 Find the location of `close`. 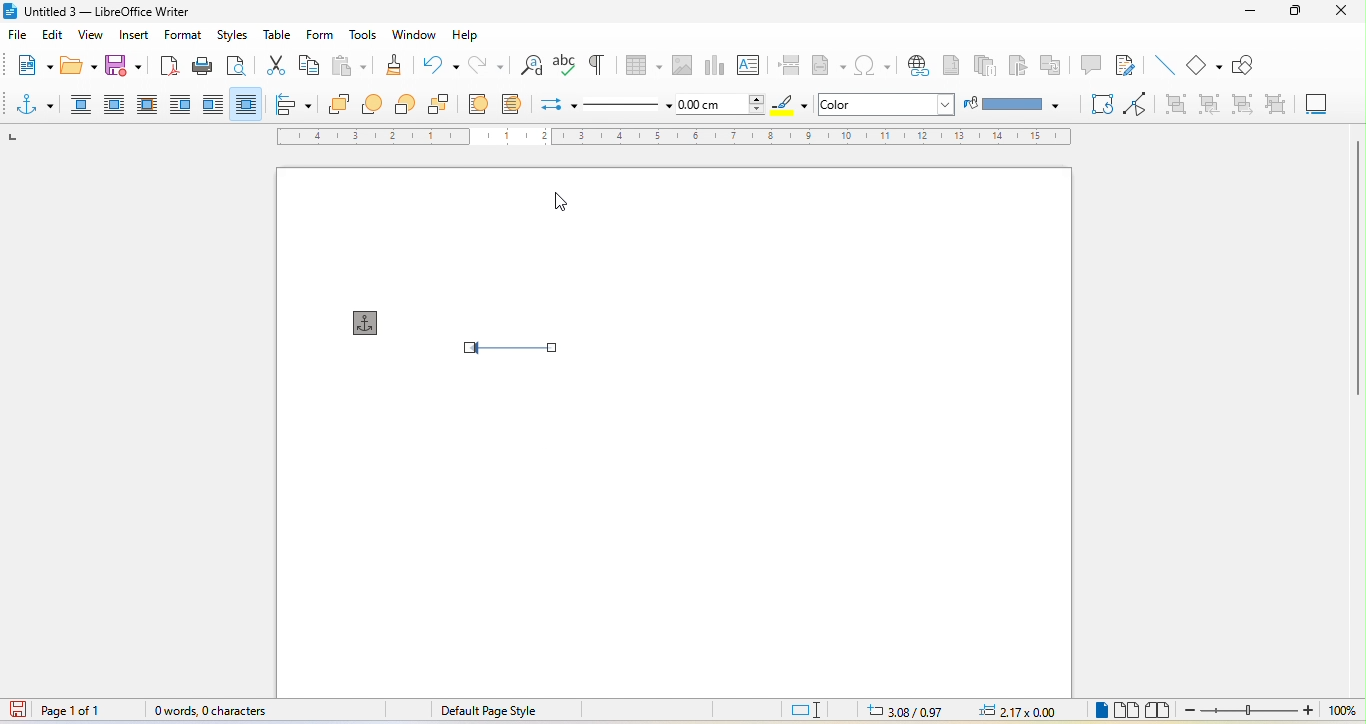

close is located at coordinates (1343, 11).